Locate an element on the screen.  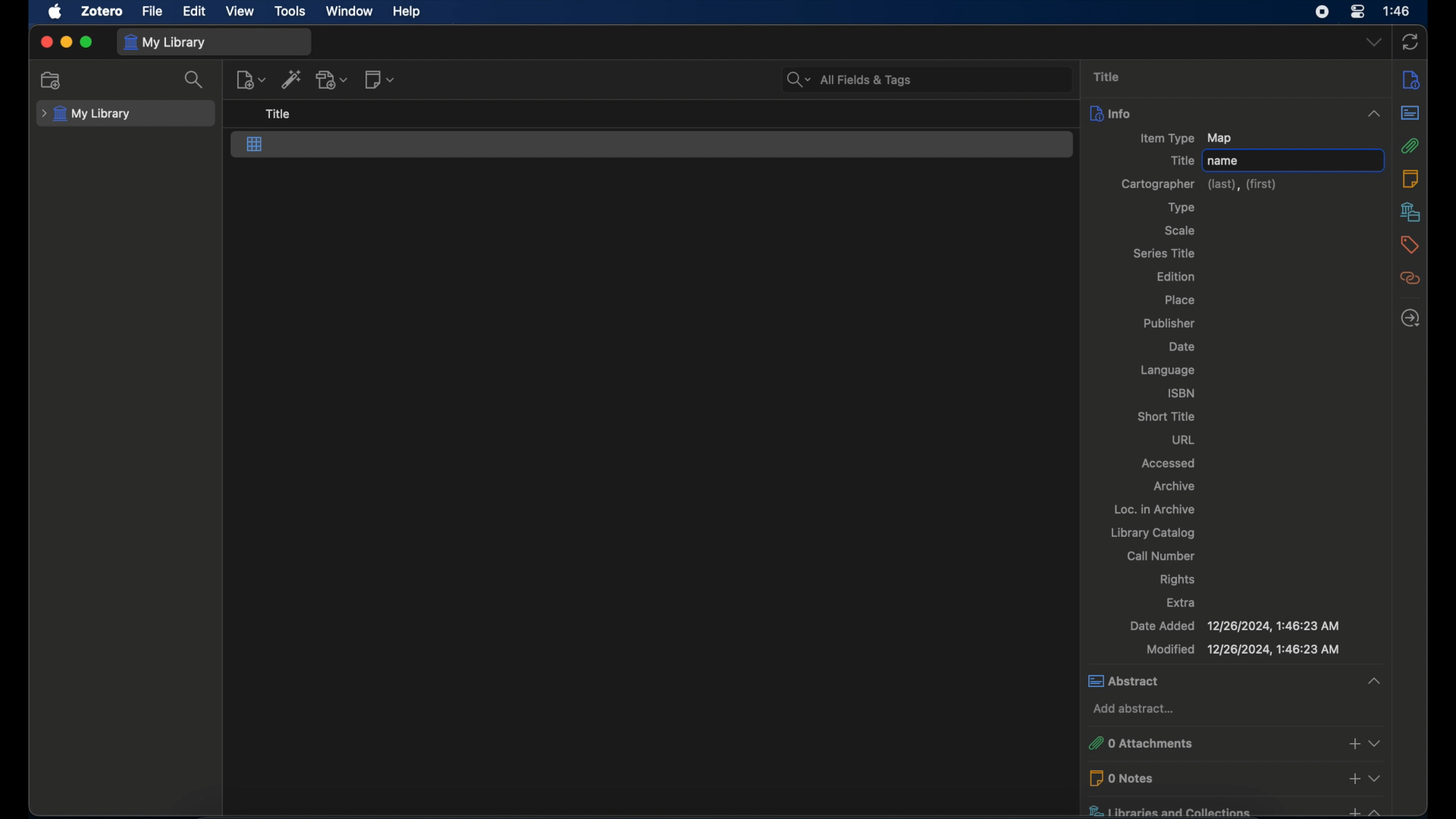
series title is located at coordinates (1164, 253).